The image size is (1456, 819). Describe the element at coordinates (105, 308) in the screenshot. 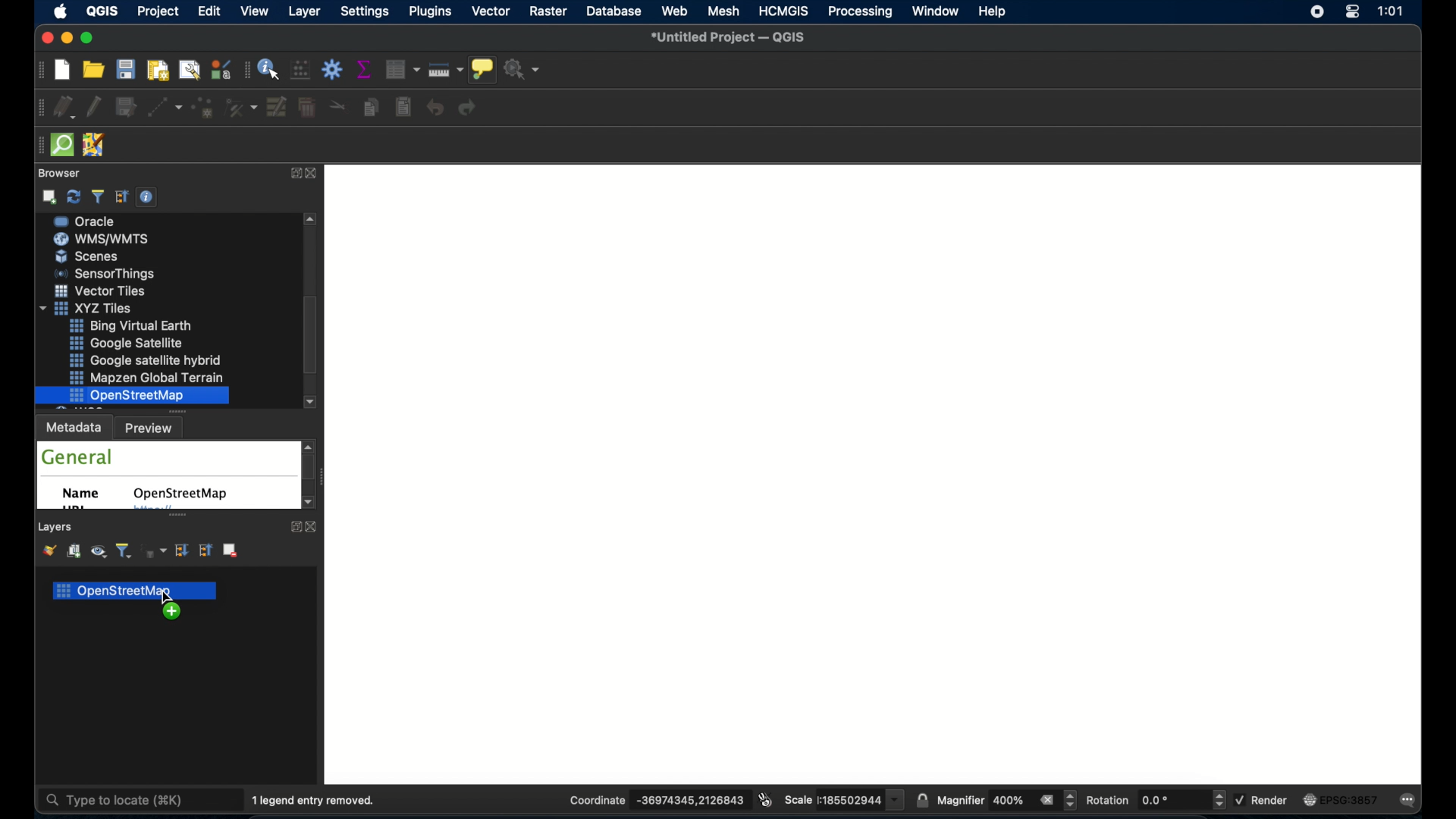

I see `scenes` at that location.